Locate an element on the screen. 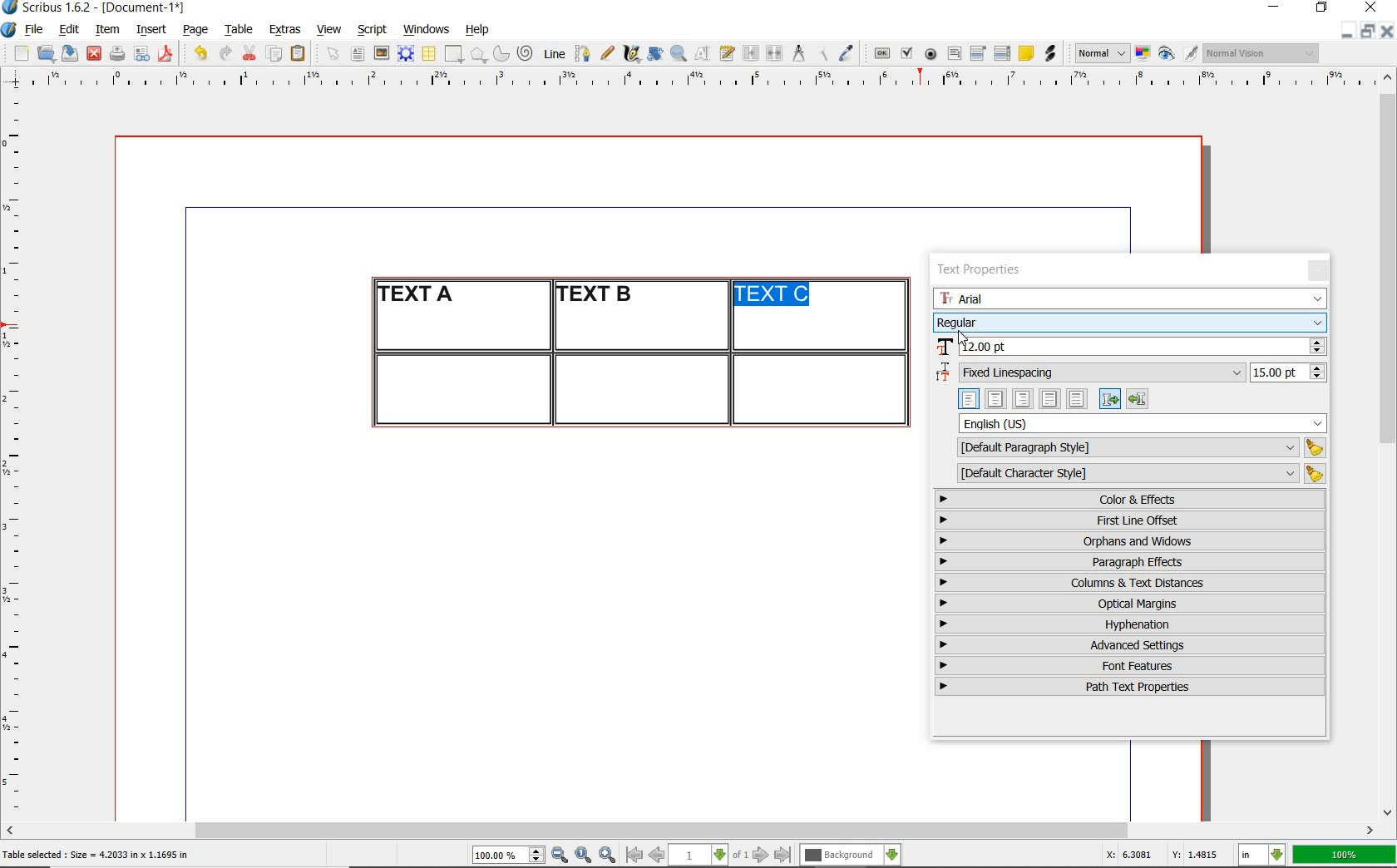 The height and width of the screenshot is (868, 1397). unlink text frames is located at coordinates (774, 54).